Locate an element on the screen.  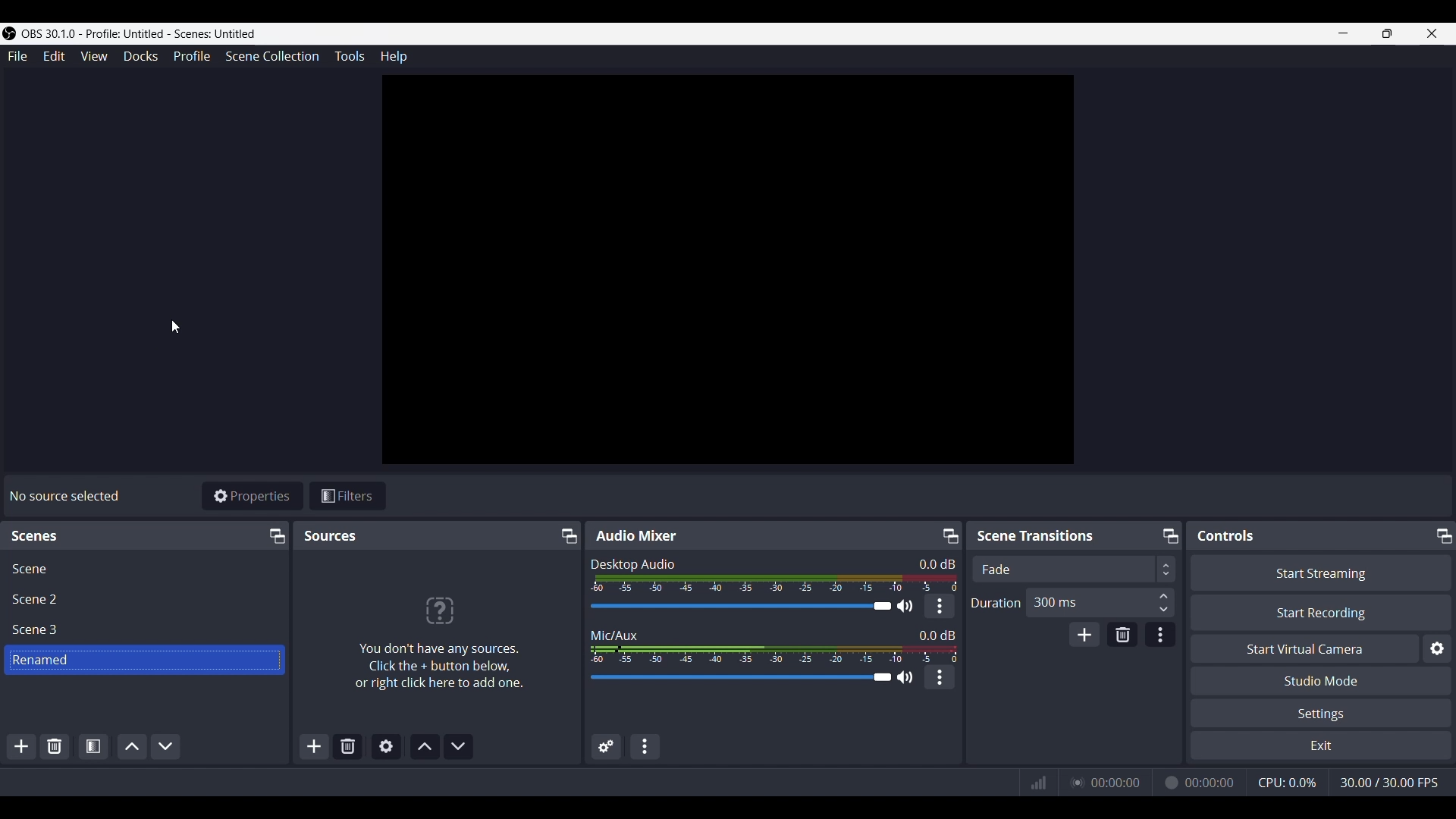
configure virtual camera is located at coordinates (1436, 649).